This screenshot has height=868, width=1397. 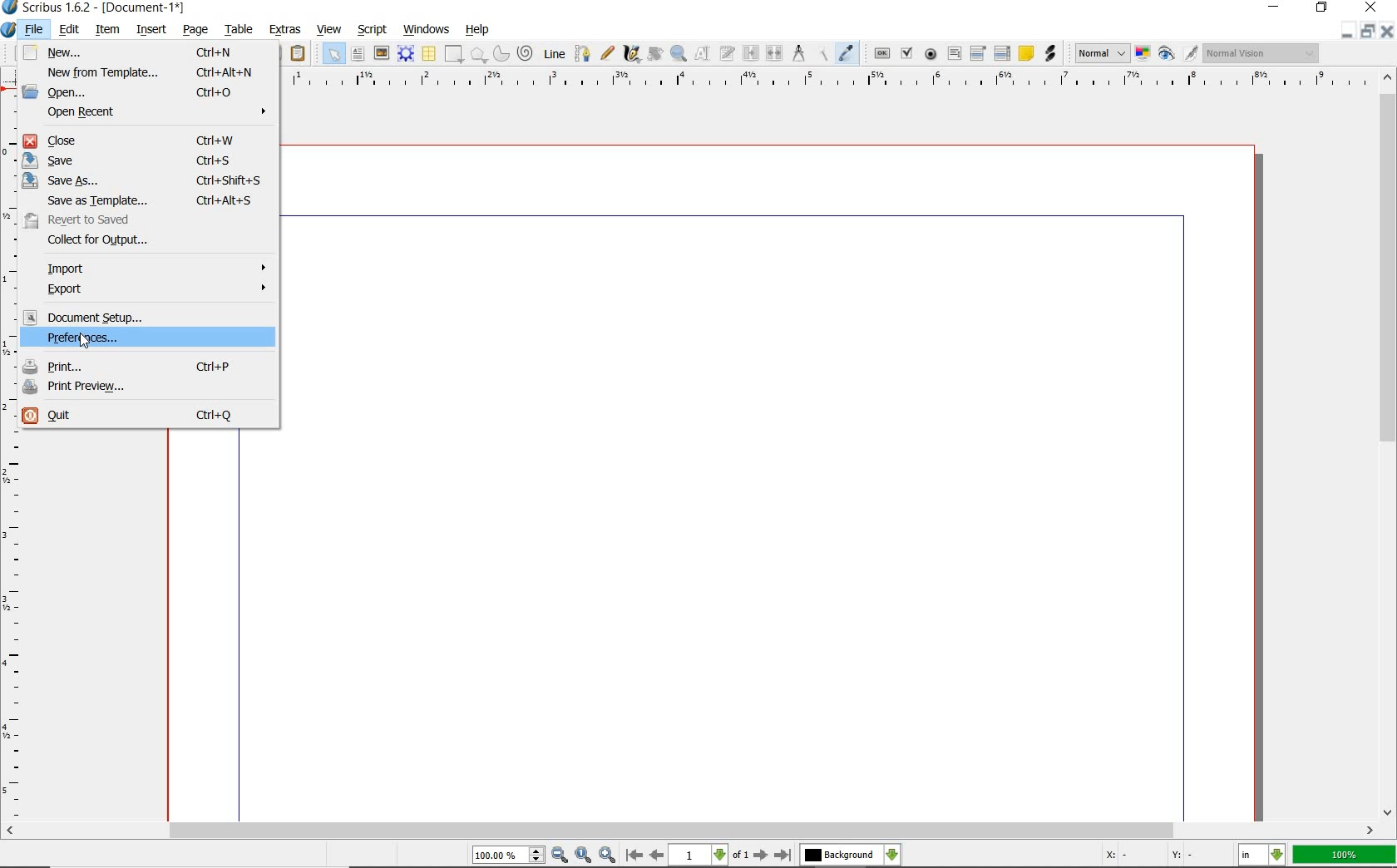 I want to click on spiral, so click(x=526, y=52).